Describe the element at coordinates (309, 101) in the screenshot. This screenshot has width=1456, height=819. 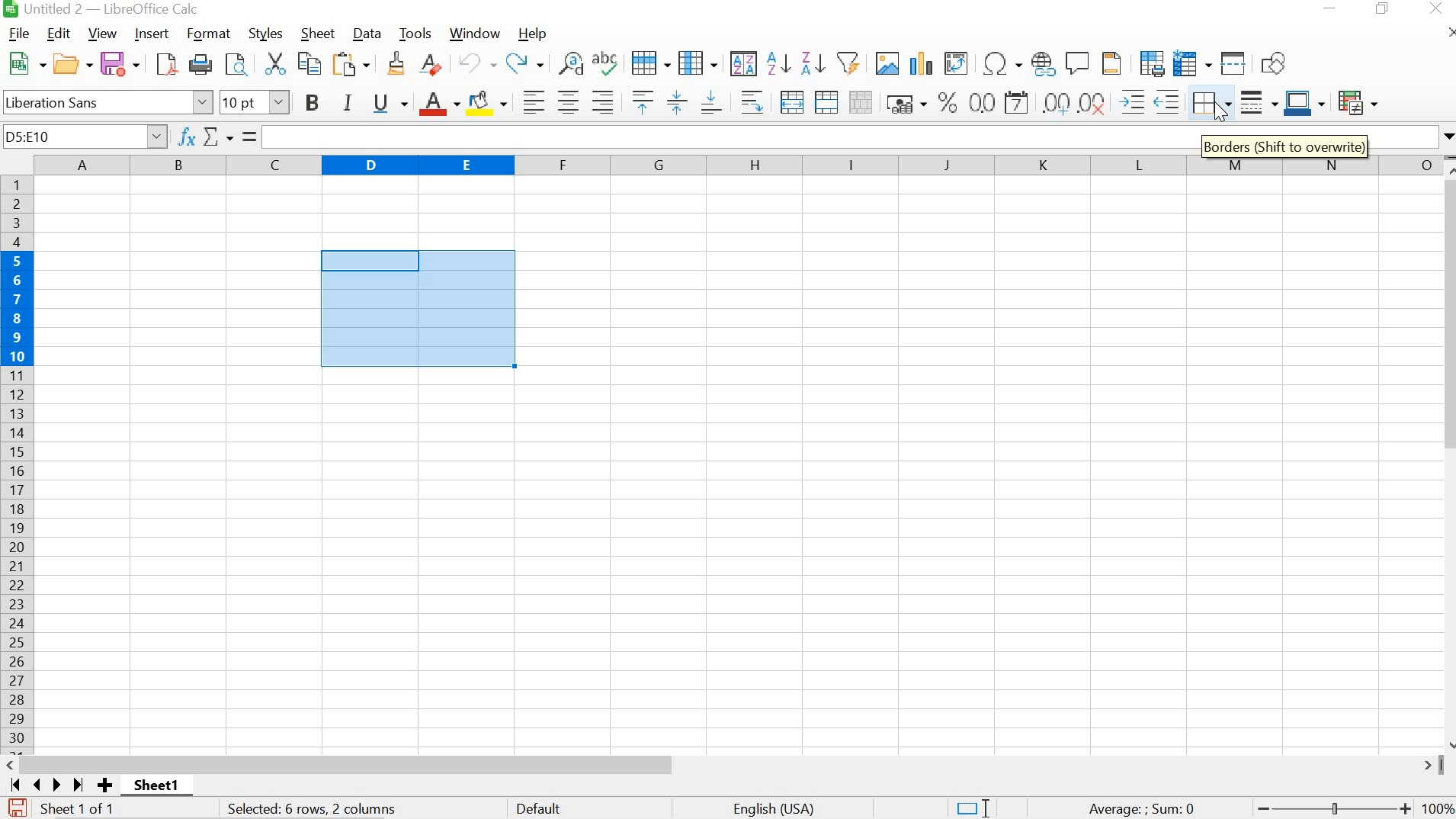
I see `BOLD` at that location.